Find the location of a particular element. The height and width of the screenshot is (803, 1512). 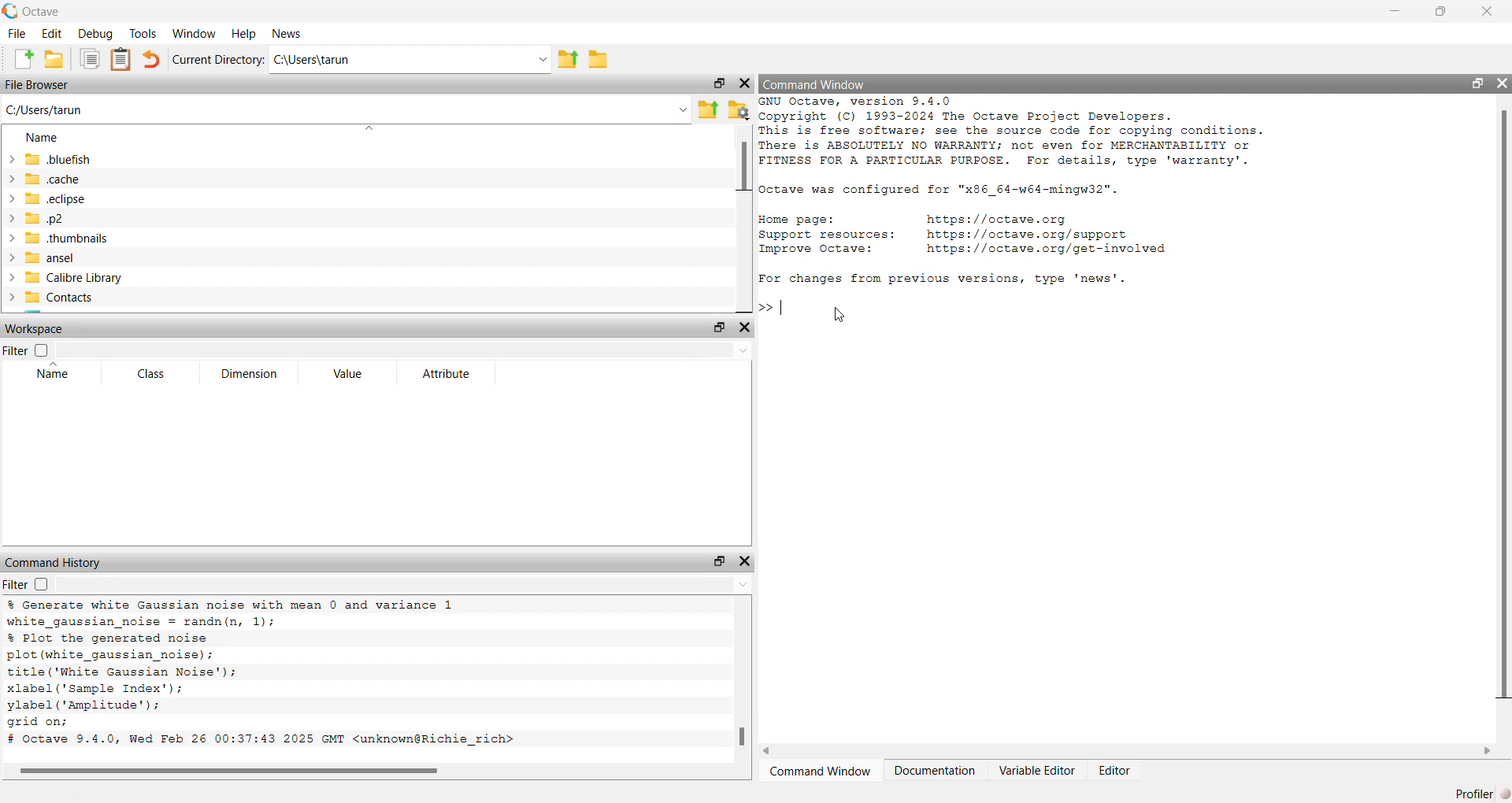

dropdown is located at coordinates (405, 584).